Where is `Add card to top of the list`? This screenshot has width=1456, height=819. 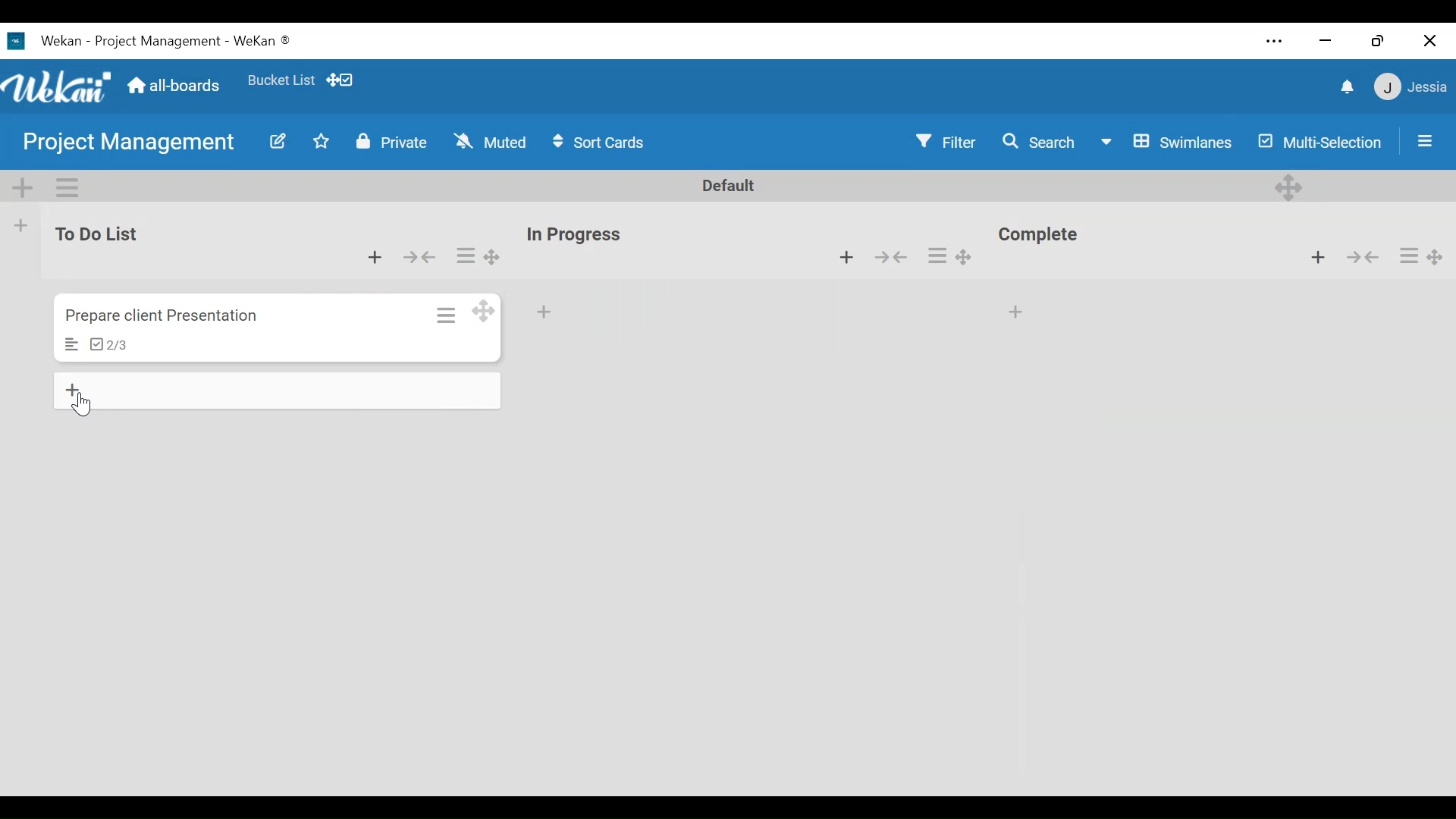
Add card to top of the list is located at coordinates (1321, 258).